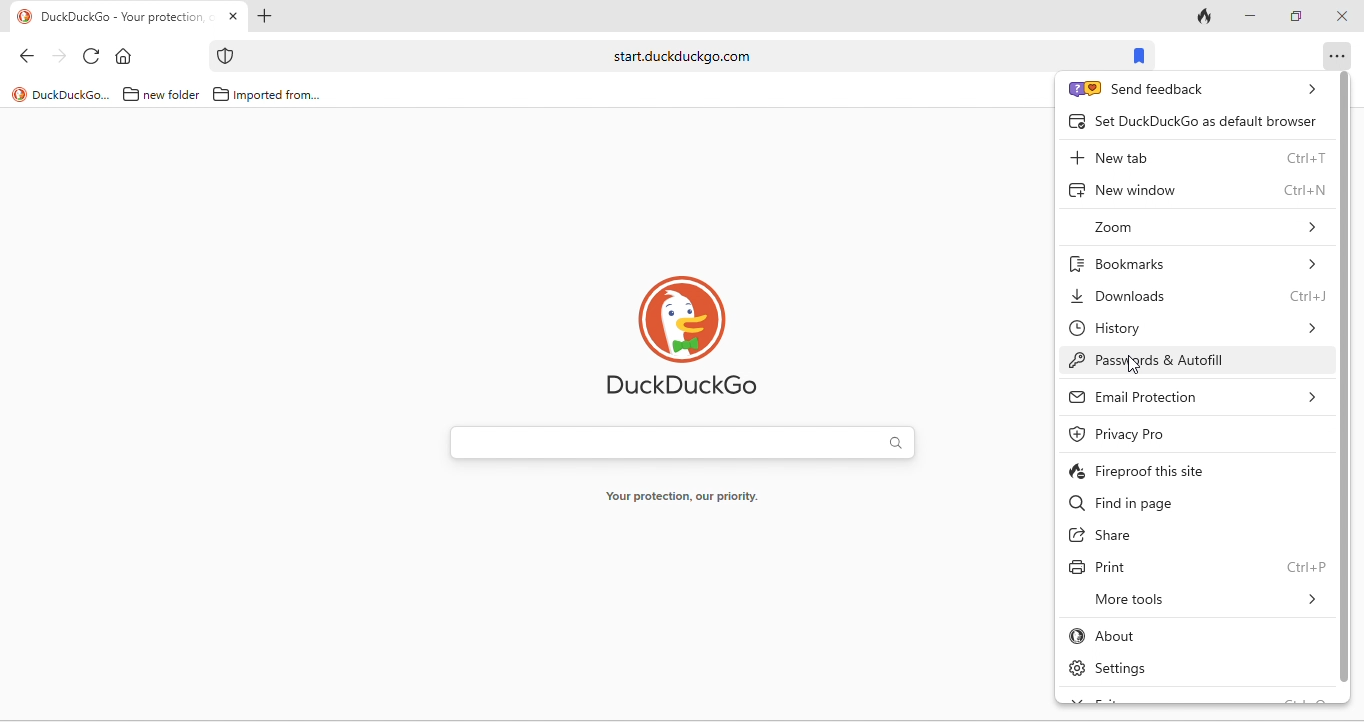  Describe the element at coordinates (1193, 362) in the screenshot. I see `passwords and autofill` at that location.